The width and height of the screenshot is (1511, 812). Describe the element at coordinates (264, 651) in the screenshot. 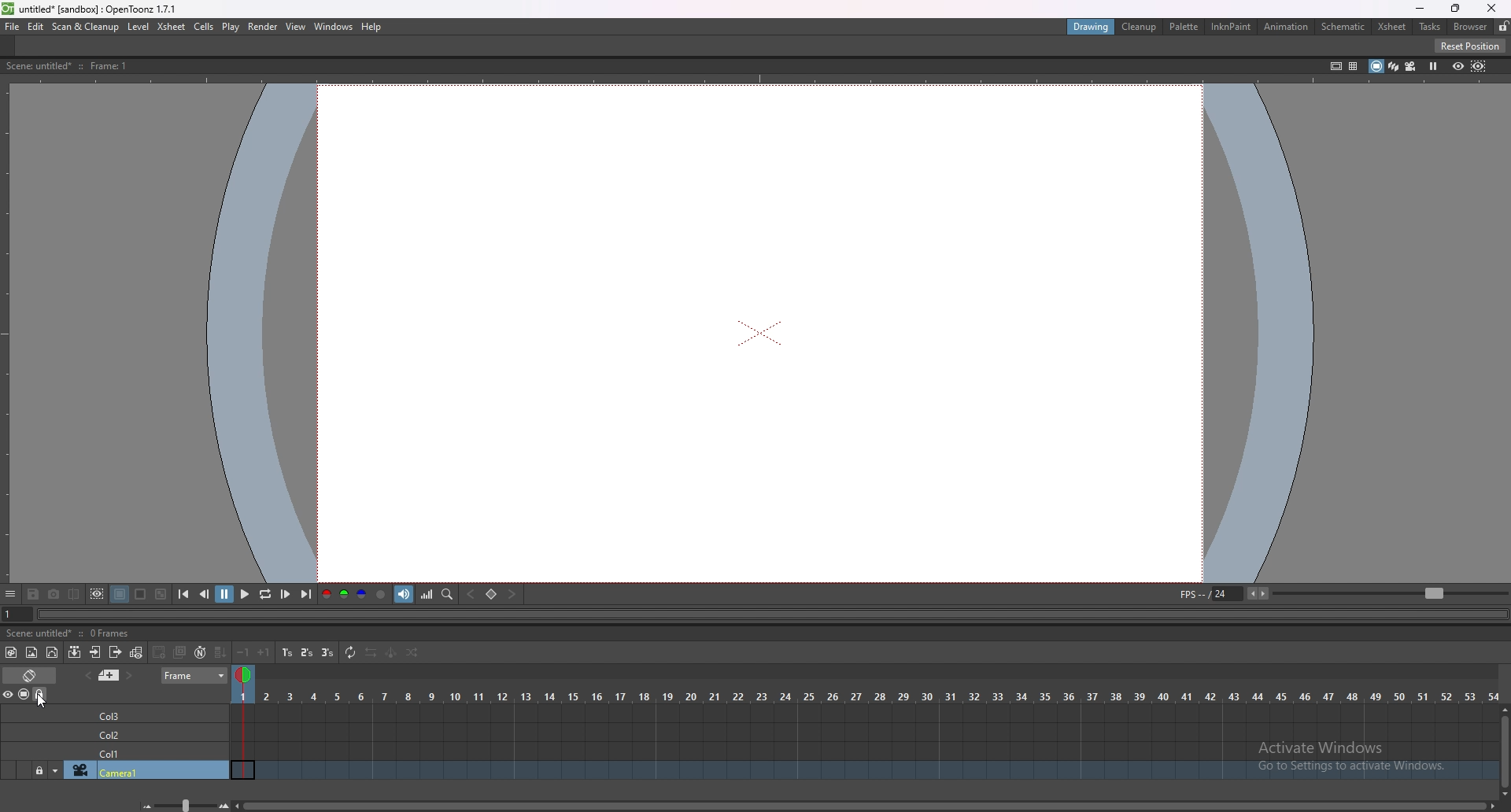

I see `increase step` at that location.